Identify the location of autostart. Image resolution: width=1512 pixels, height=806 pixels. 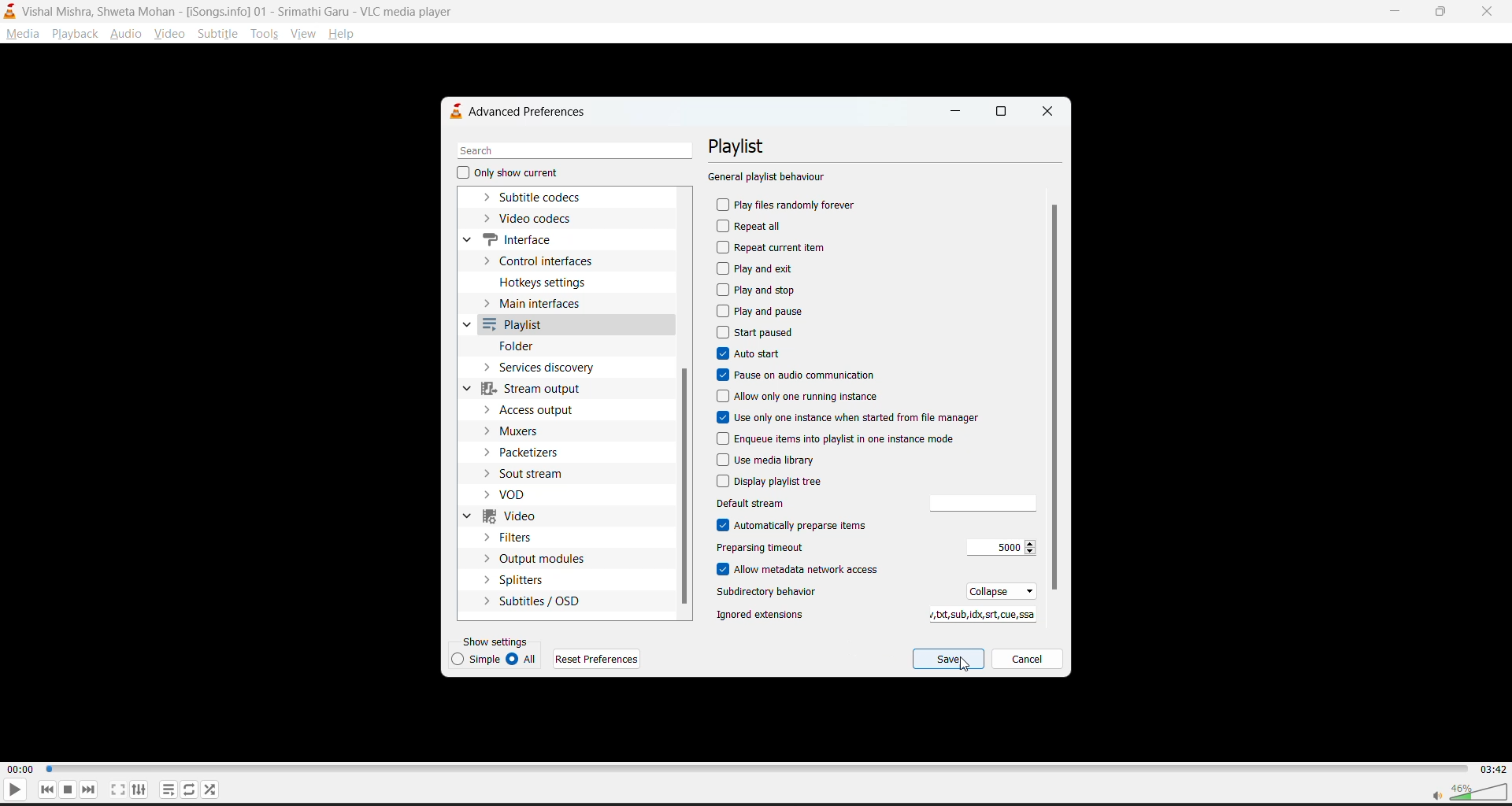
(749, 353).